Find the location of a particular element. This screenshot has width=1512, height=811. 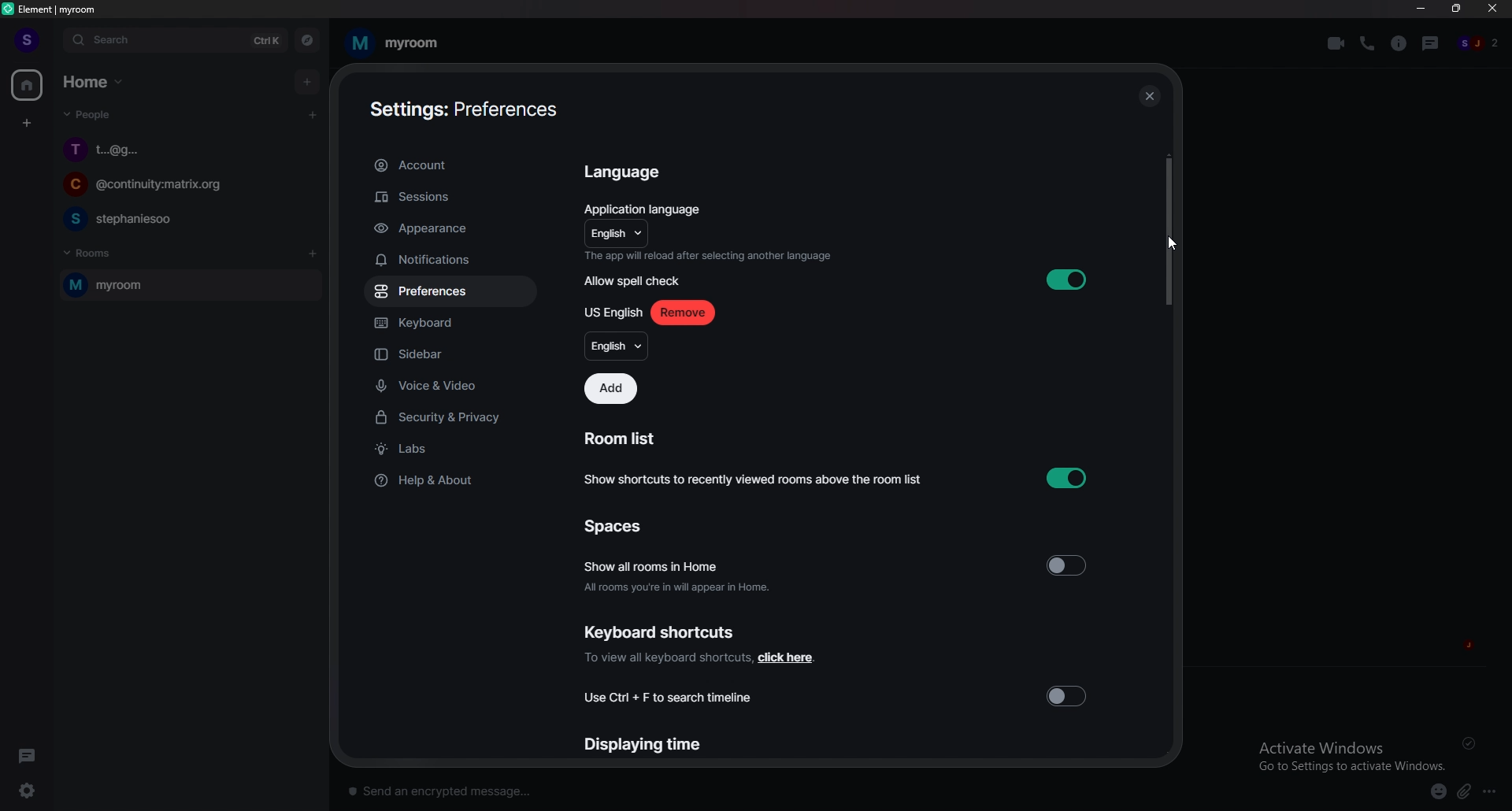

keyboard is located at coordinates (448, 325).